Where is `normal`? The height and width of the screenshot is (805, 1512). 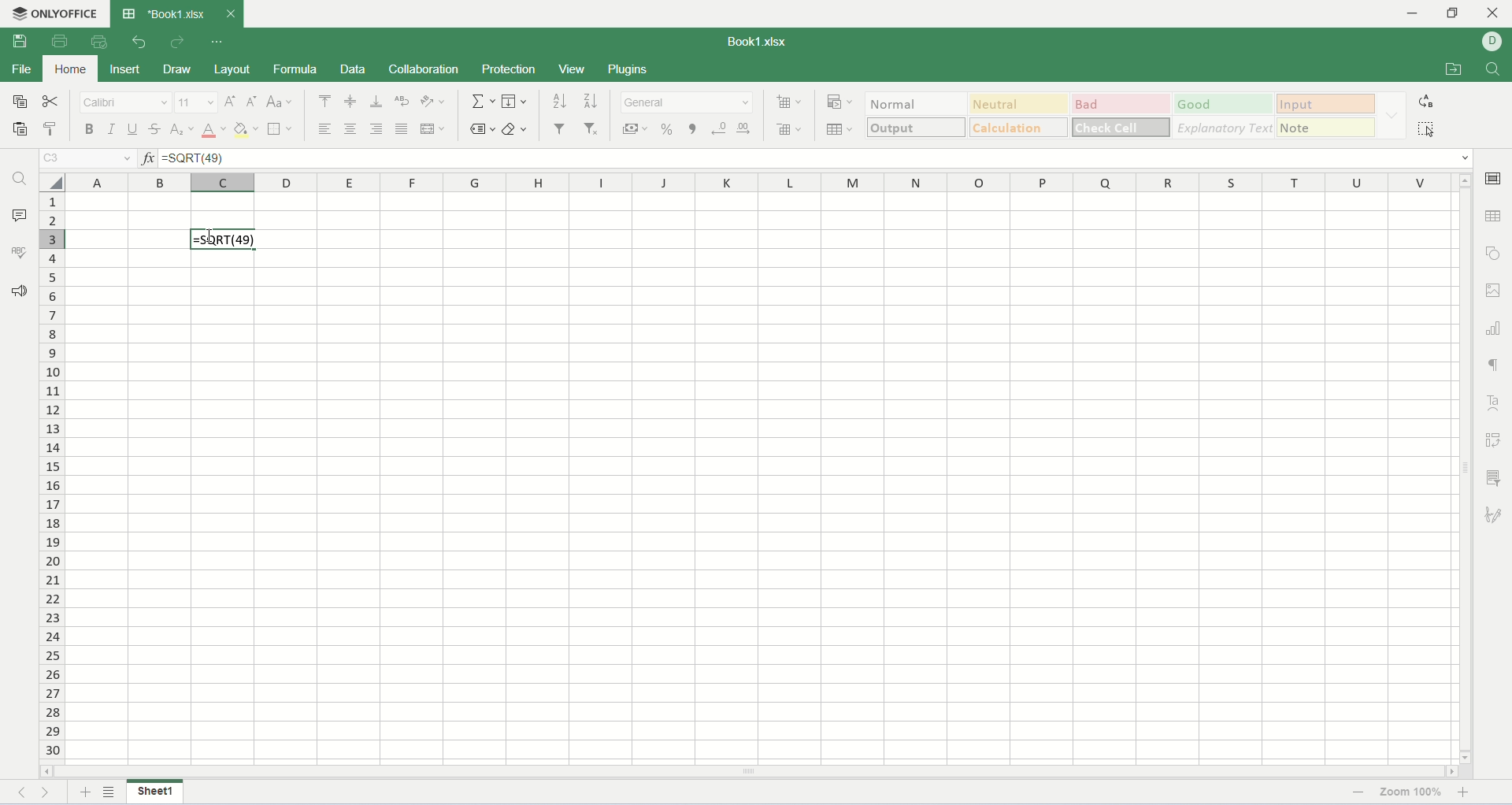 normal is located at coordinates (915, 106).